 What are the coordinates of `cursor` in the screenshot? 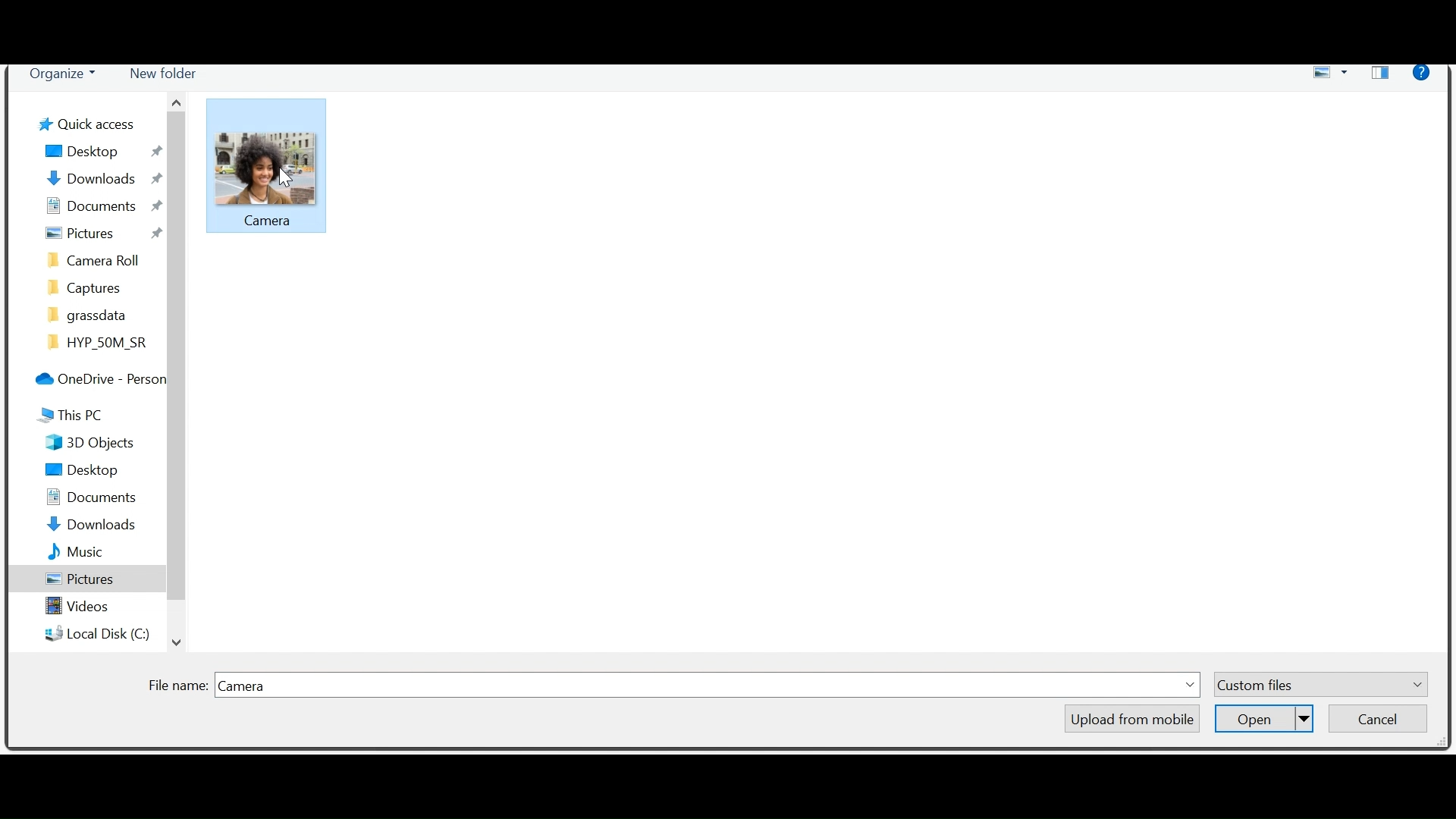 It's located at (287, 179).